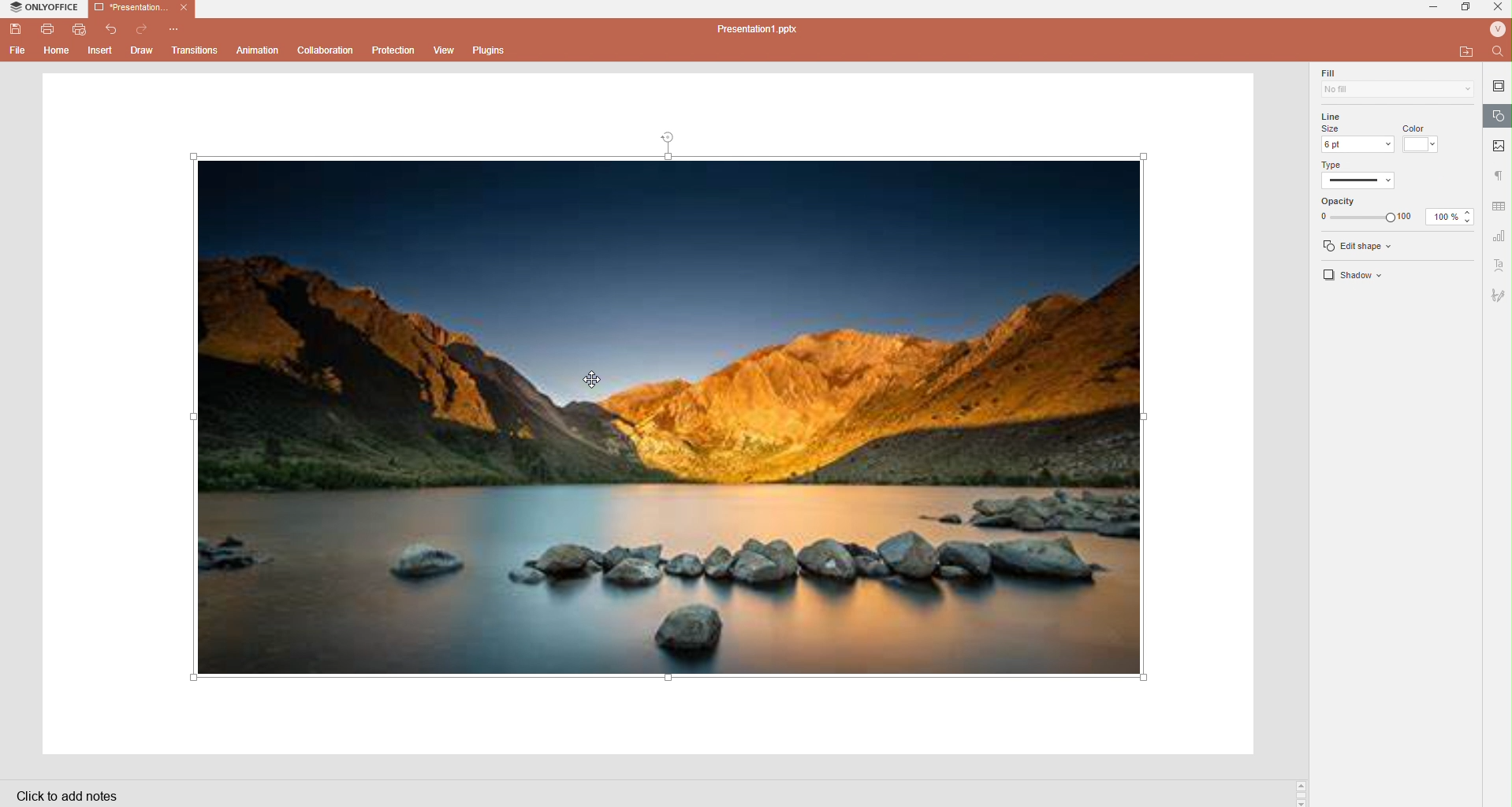 The height and width of the screenshot is (807, 1512). I want to click on Draw, so click(143, 52).